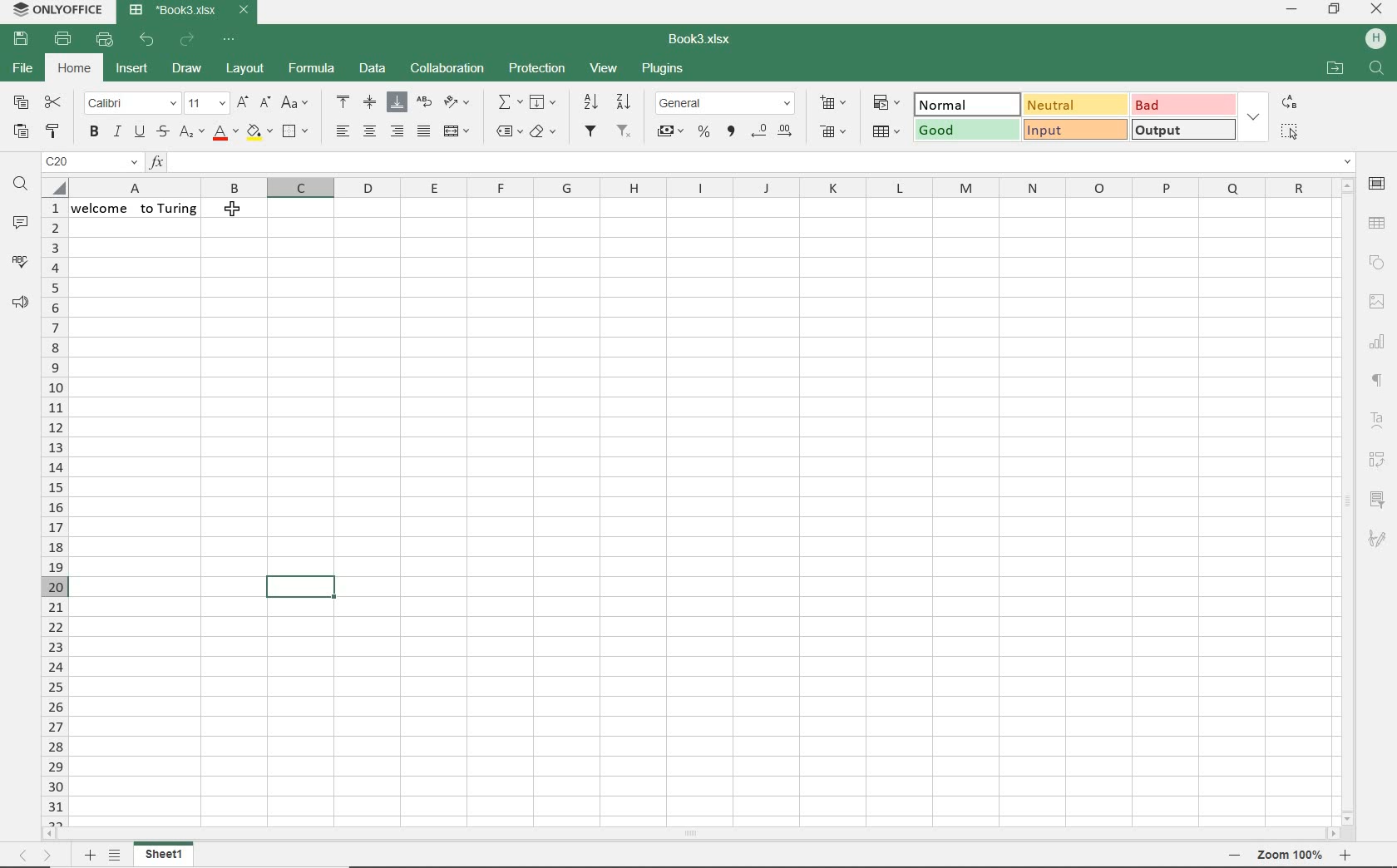 This screenshot has height=868, width=1397. What do you see at coordinates (91, 856) in the screenshot?
I see `add sheet` at bounding box center [91, 856].